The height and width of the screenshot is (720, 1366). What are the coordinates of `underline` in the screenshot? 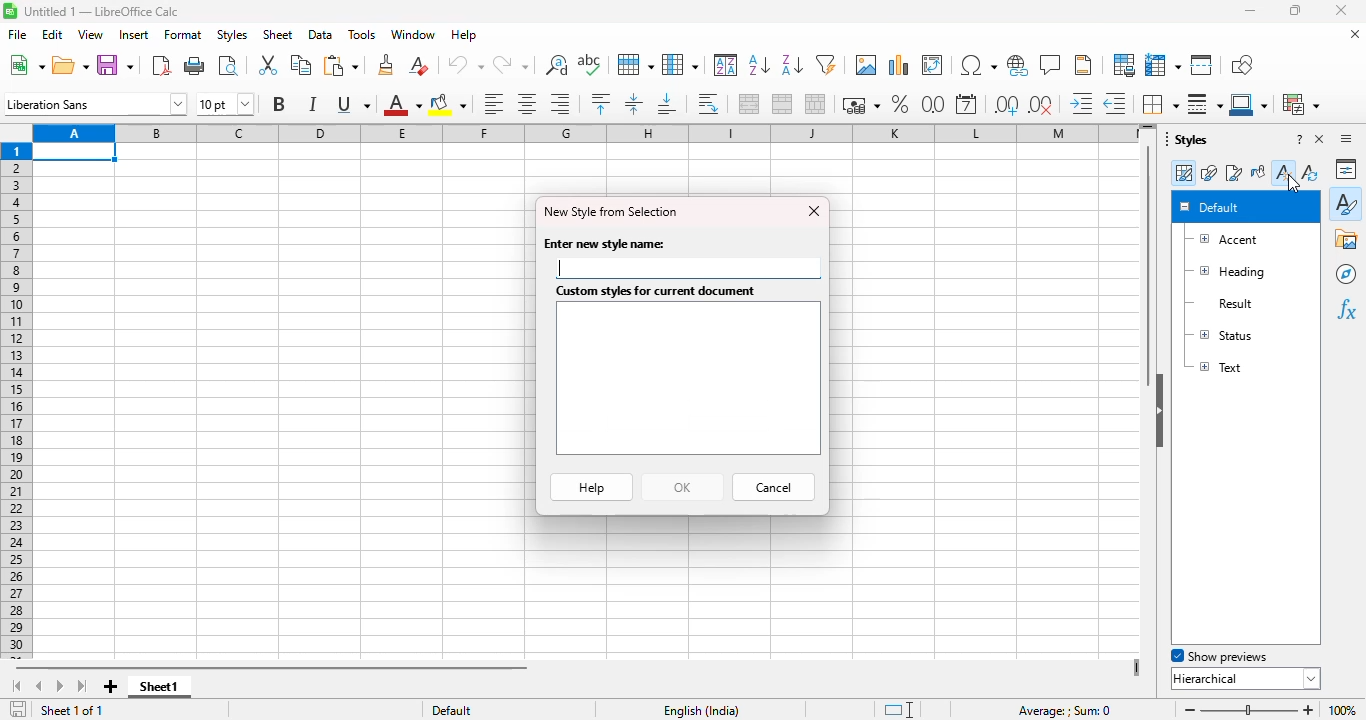 It's located at (353, 105).